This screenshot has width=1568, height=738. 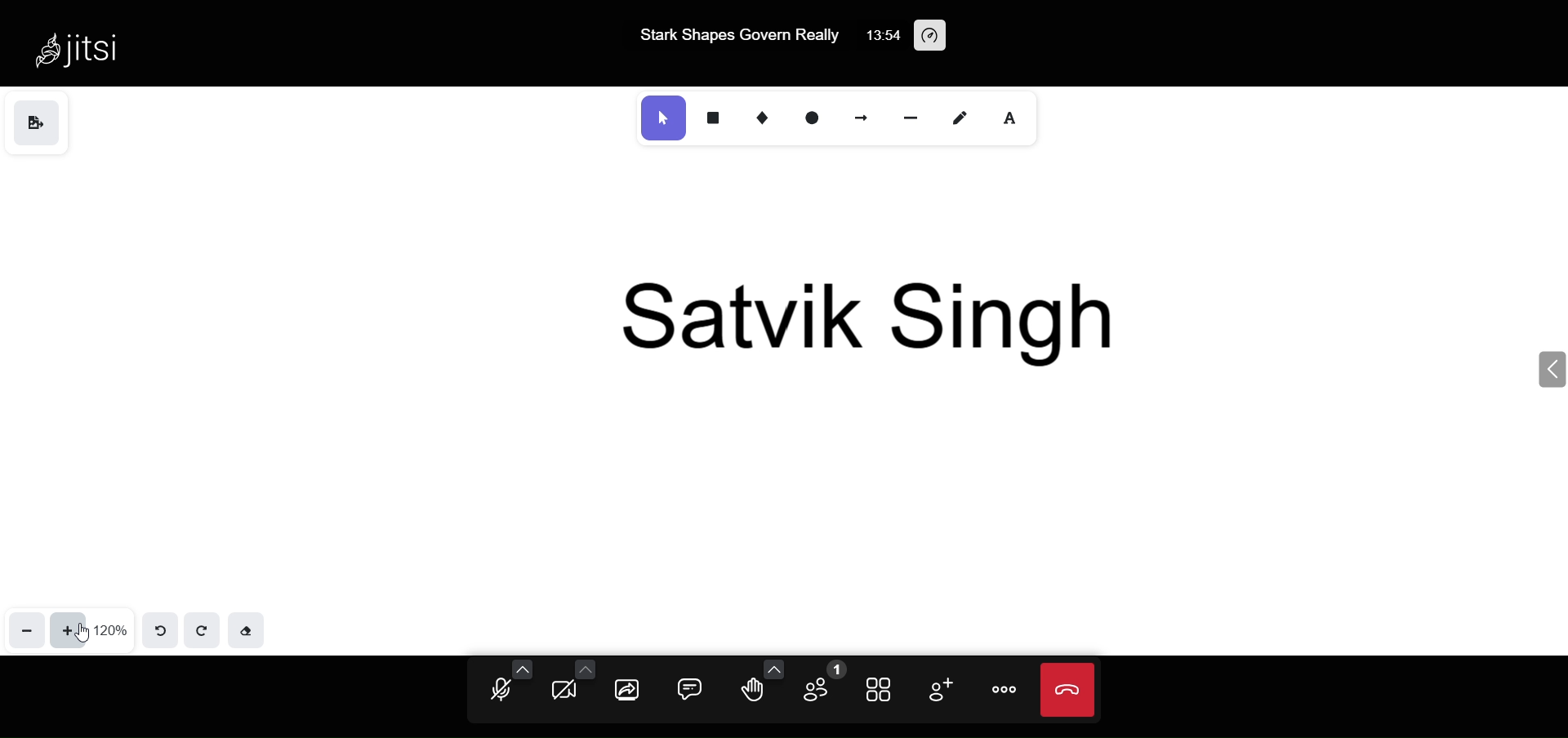 What do you see at coordinates (250, 629) in the screenshot?
I see `eraser` at bounding box center [250, 629].